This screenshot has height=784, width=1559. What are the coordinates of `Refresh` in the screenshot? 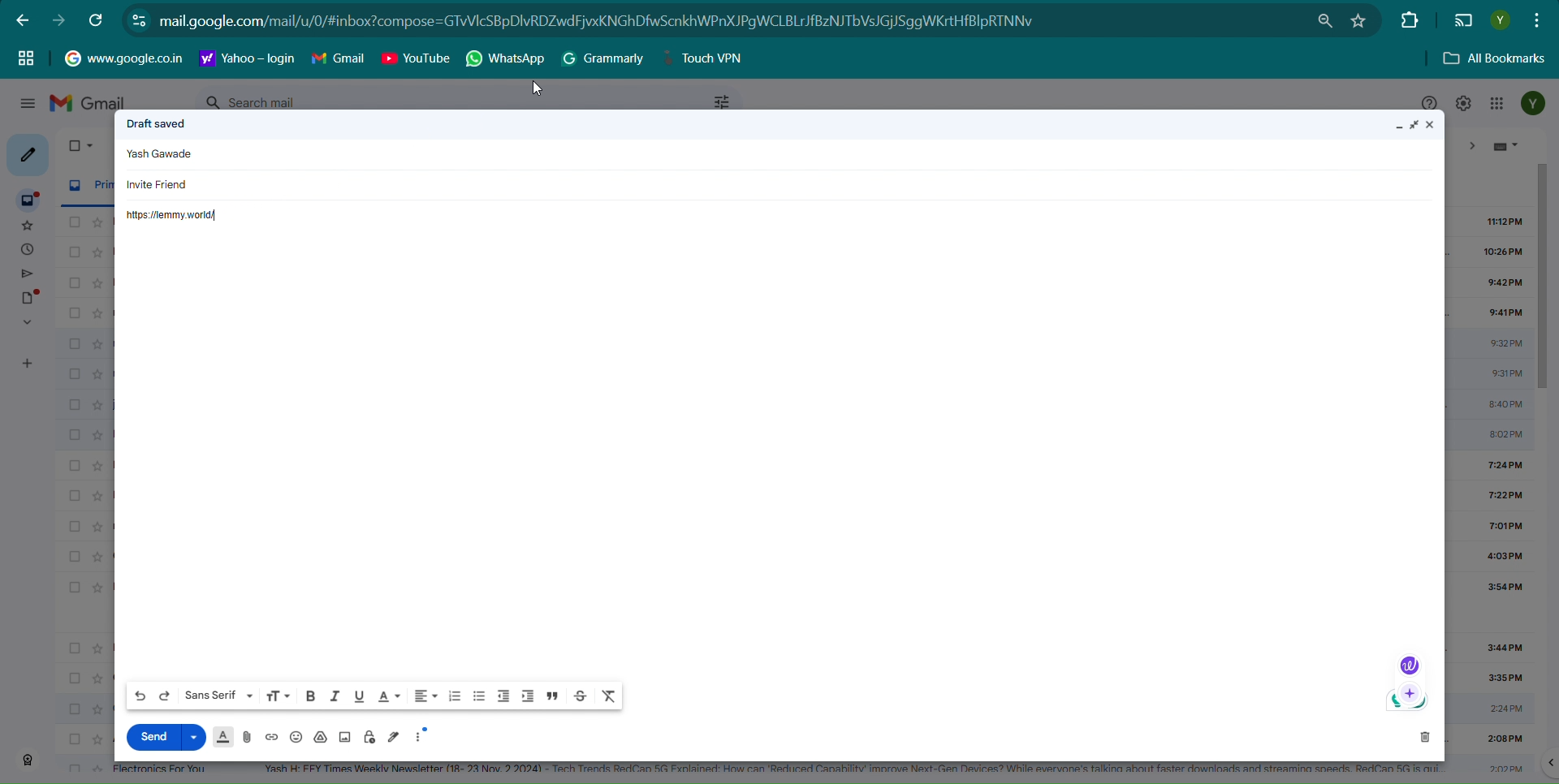 It's located at (97, 19).